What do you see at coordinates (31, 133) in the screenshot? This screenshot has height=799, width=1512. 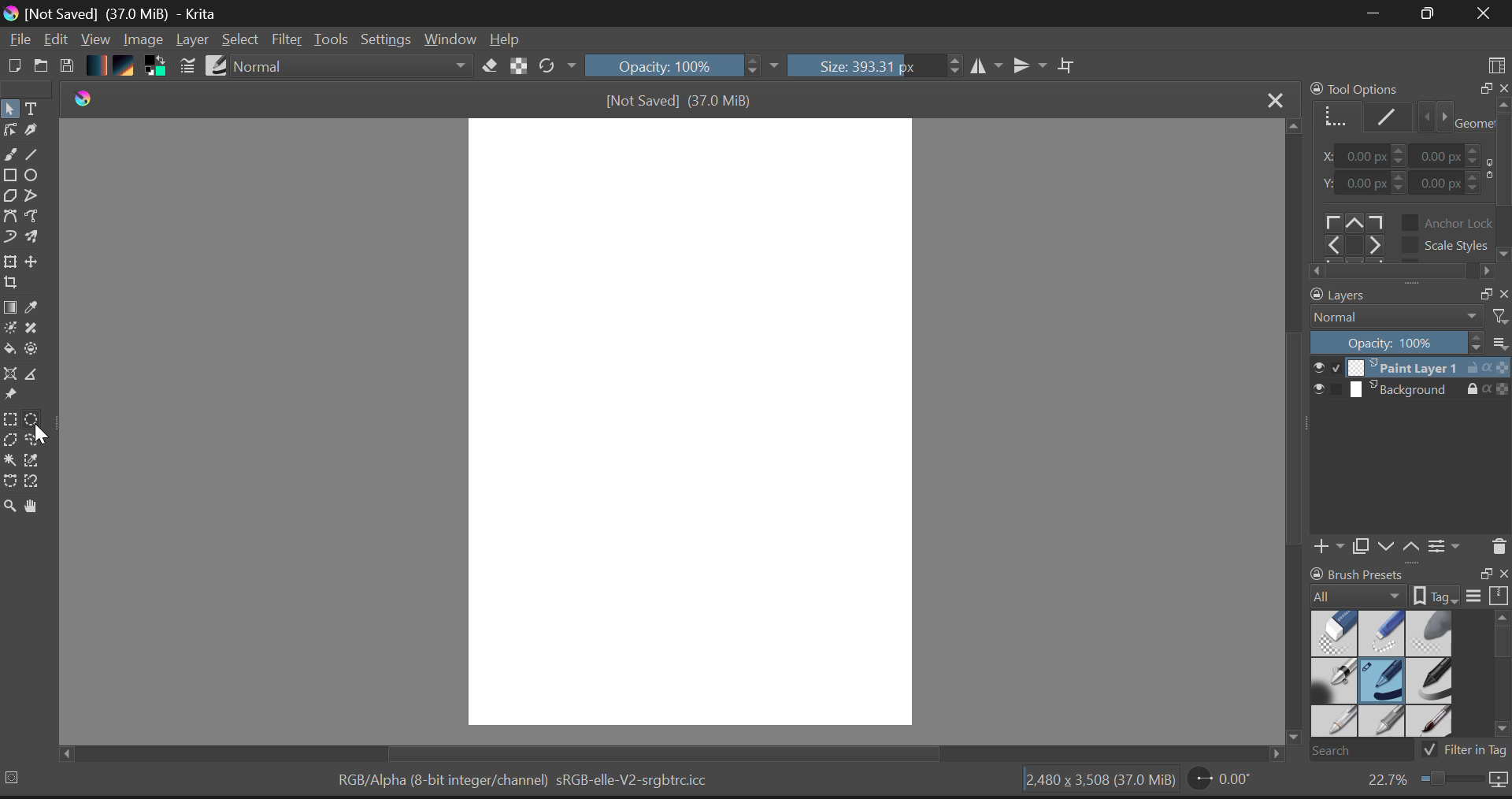 I see `Calligraphic Tool` at bounding box center [31, 133].